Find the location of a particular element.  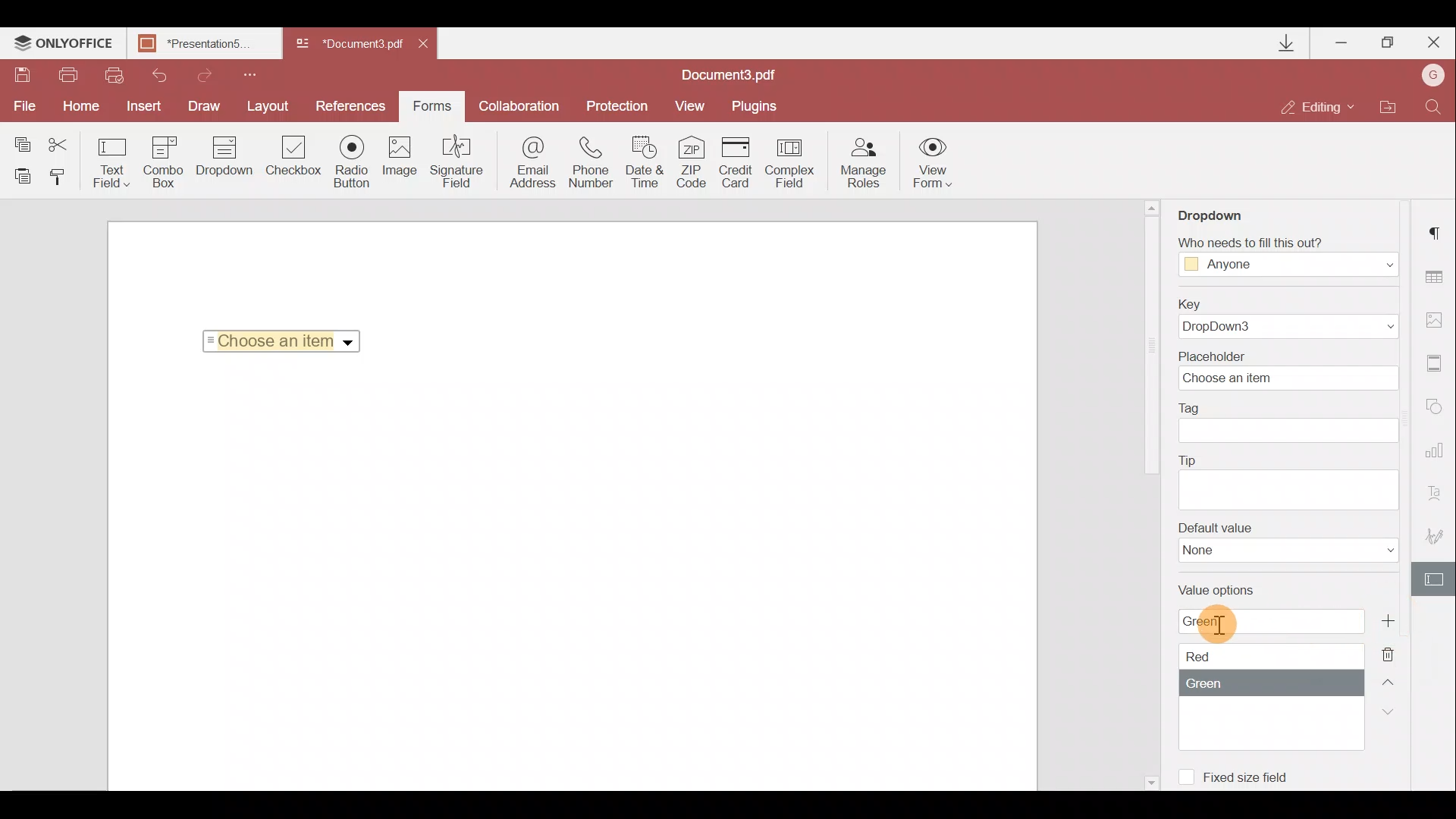

Layout is located at coordinates (272, 106).